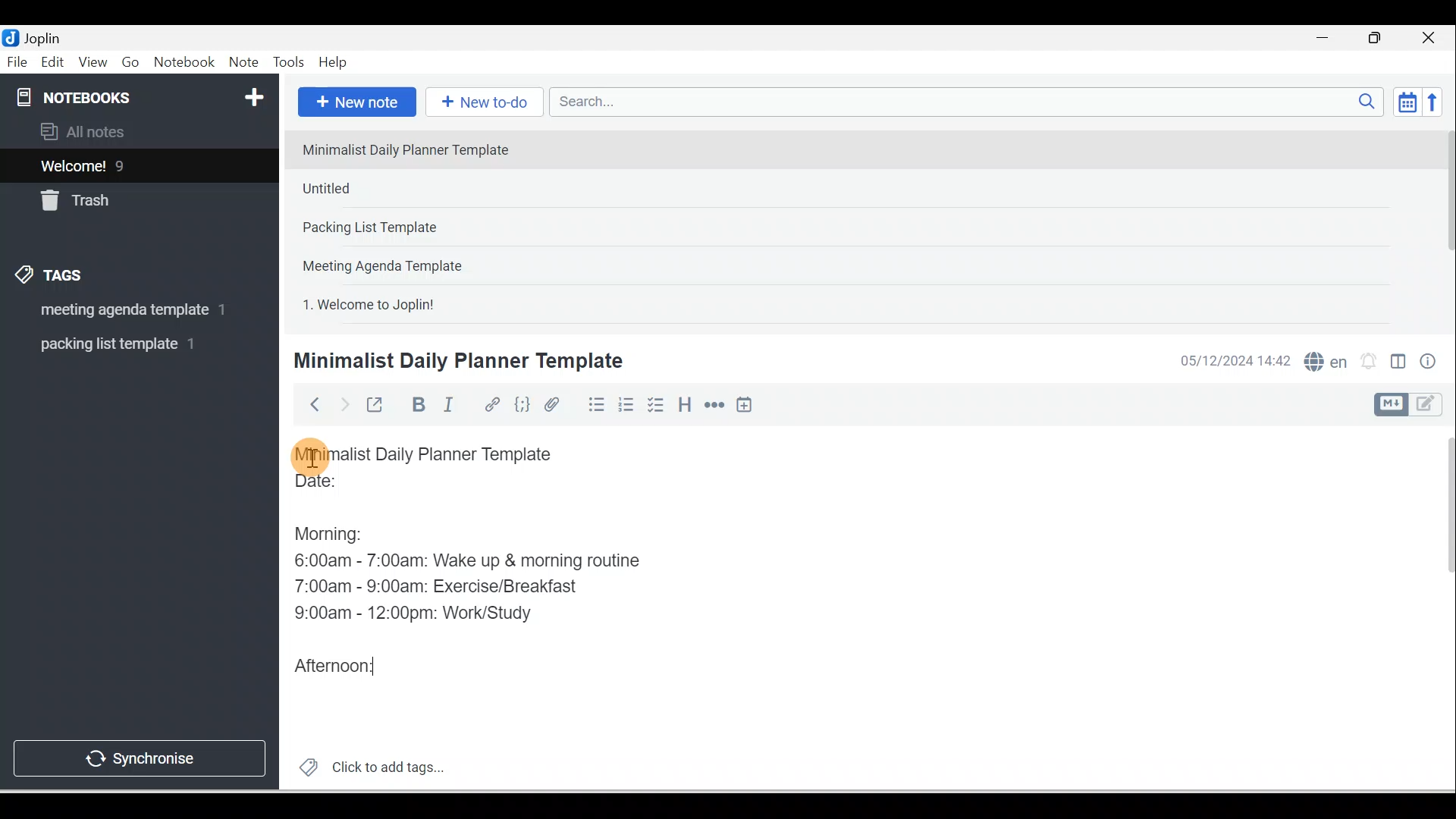 This screenshot has height=819, width=1456. What do you see at coordinates (111, 196) in the screenshot?
I see `Trash` at bounding box center [111, 196].